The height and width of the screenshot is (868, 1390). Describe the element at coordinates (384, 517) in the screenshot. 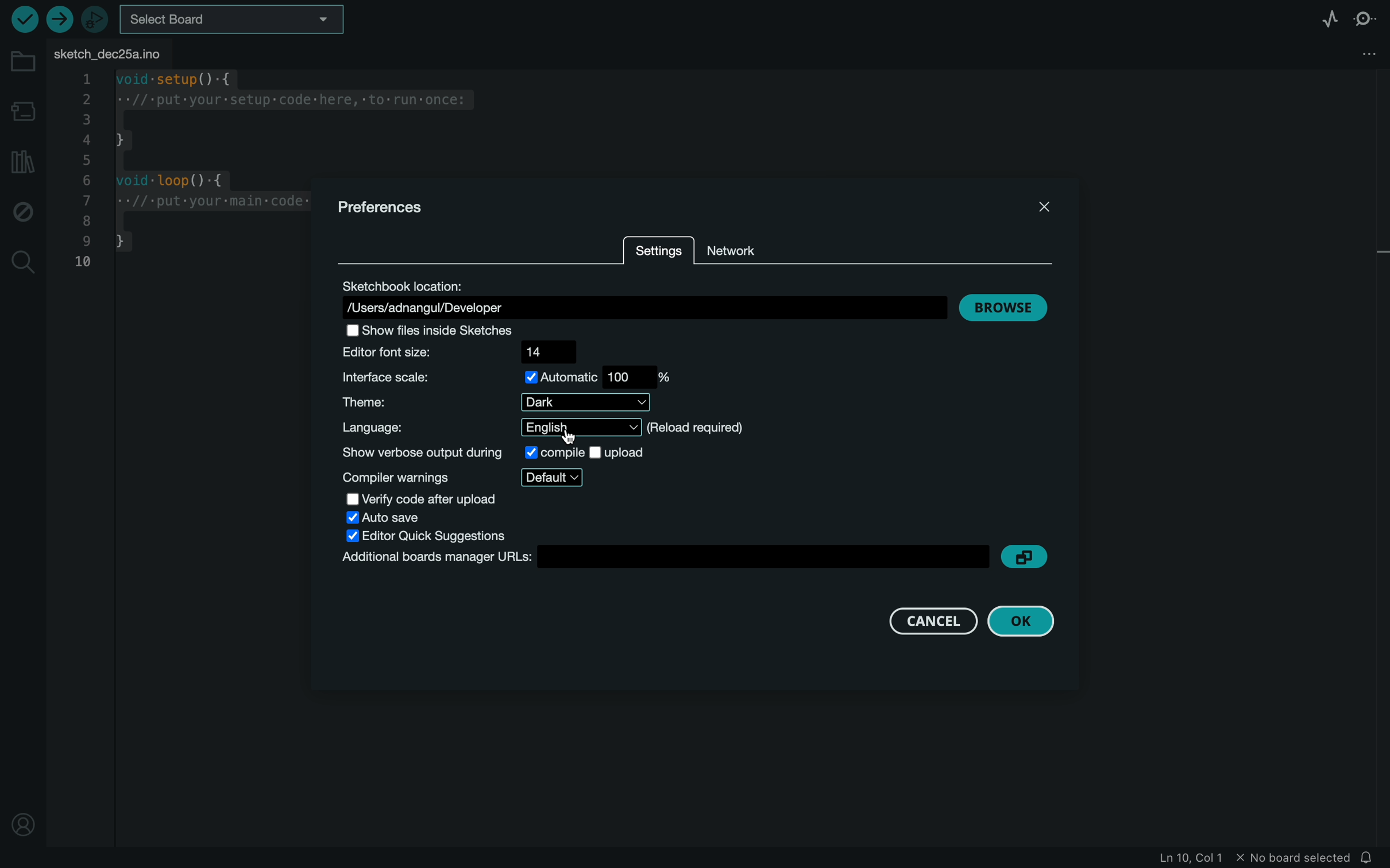

I see `auto  save` at that location.